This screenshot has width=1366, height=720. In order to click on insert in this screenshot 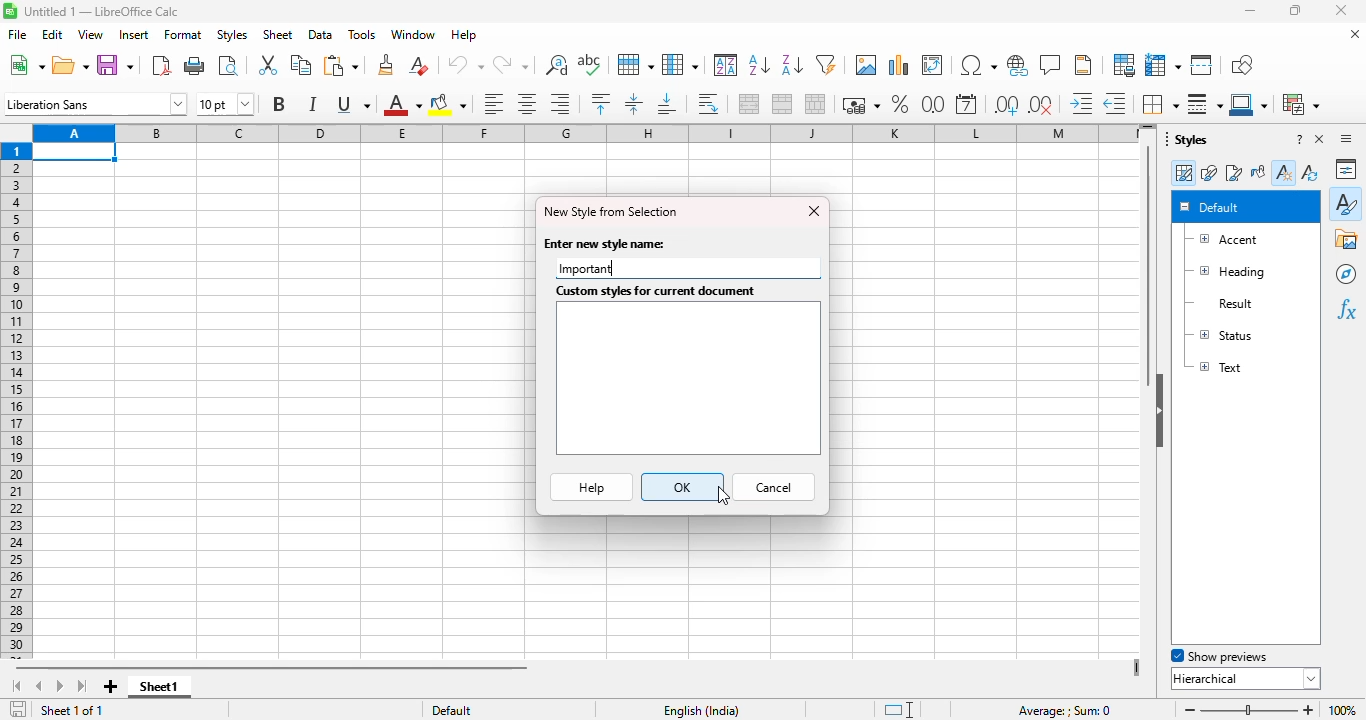, I will do `click(132, 35)`.